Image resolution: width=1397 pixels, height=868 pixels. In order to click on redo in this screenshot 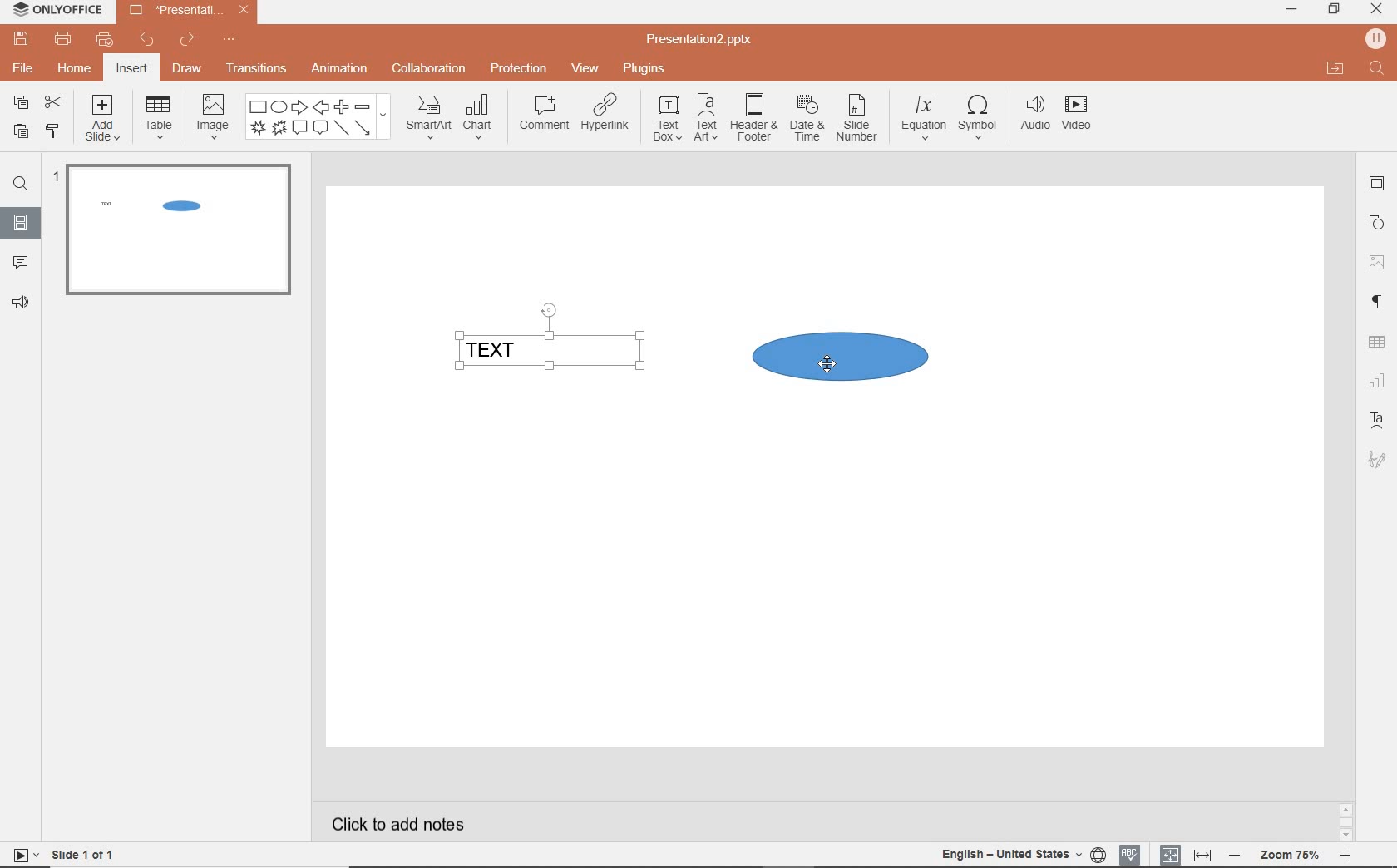, I will do `click(186, 42)`.